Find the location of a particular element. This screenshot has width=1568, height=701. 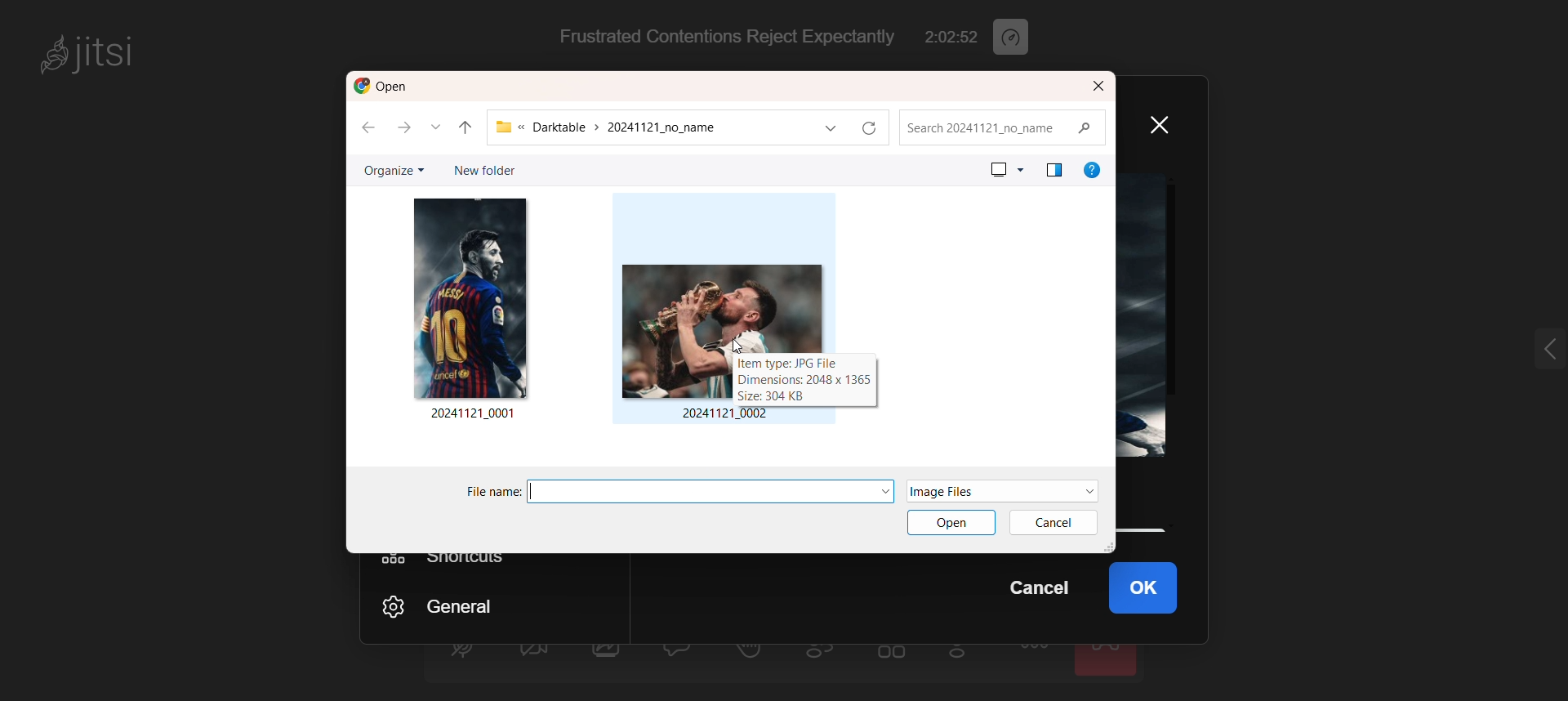

help is located at coordinates (1092, 169).